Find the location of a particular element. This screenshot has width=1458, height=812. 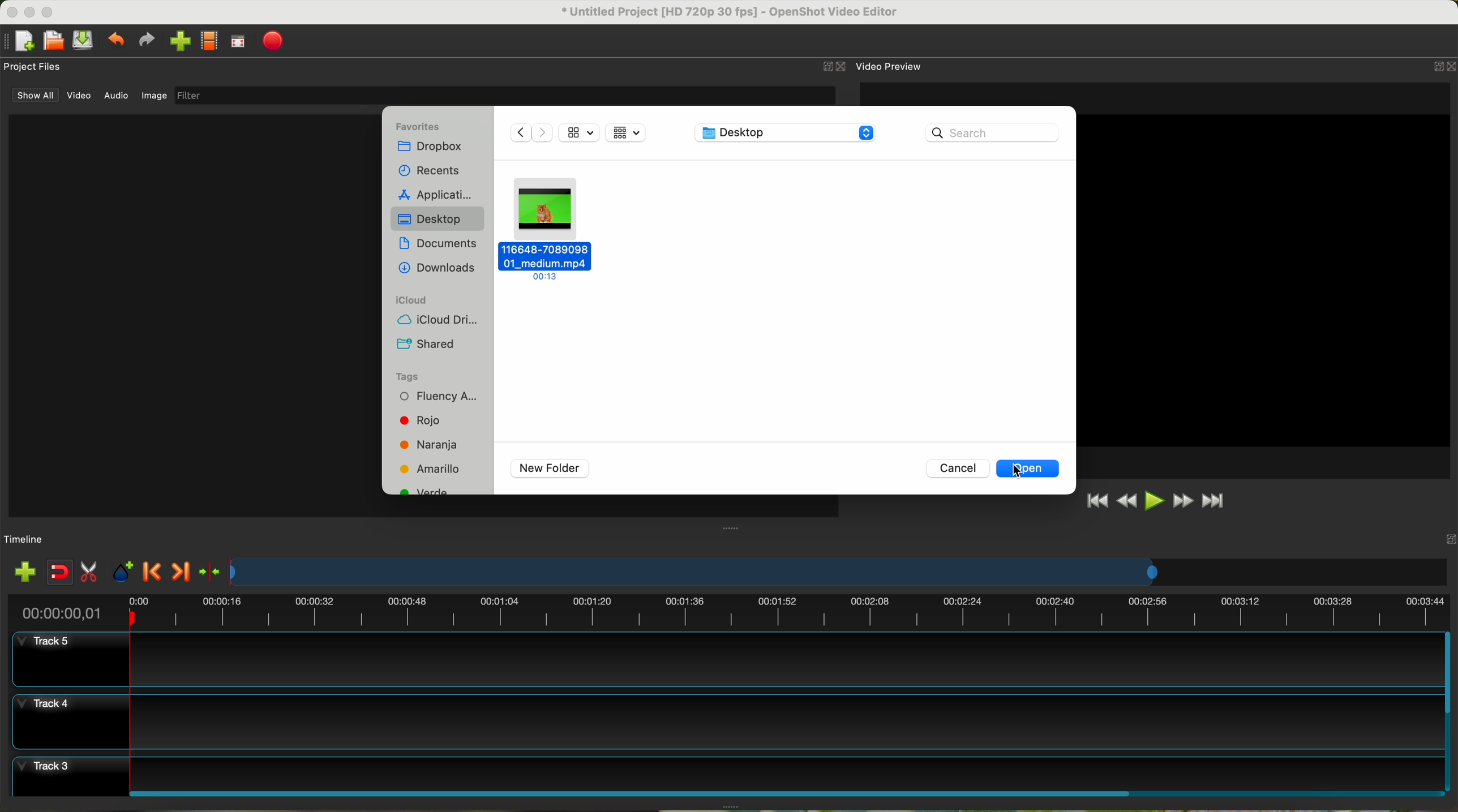

search bar is located at coordinates (996, 132).